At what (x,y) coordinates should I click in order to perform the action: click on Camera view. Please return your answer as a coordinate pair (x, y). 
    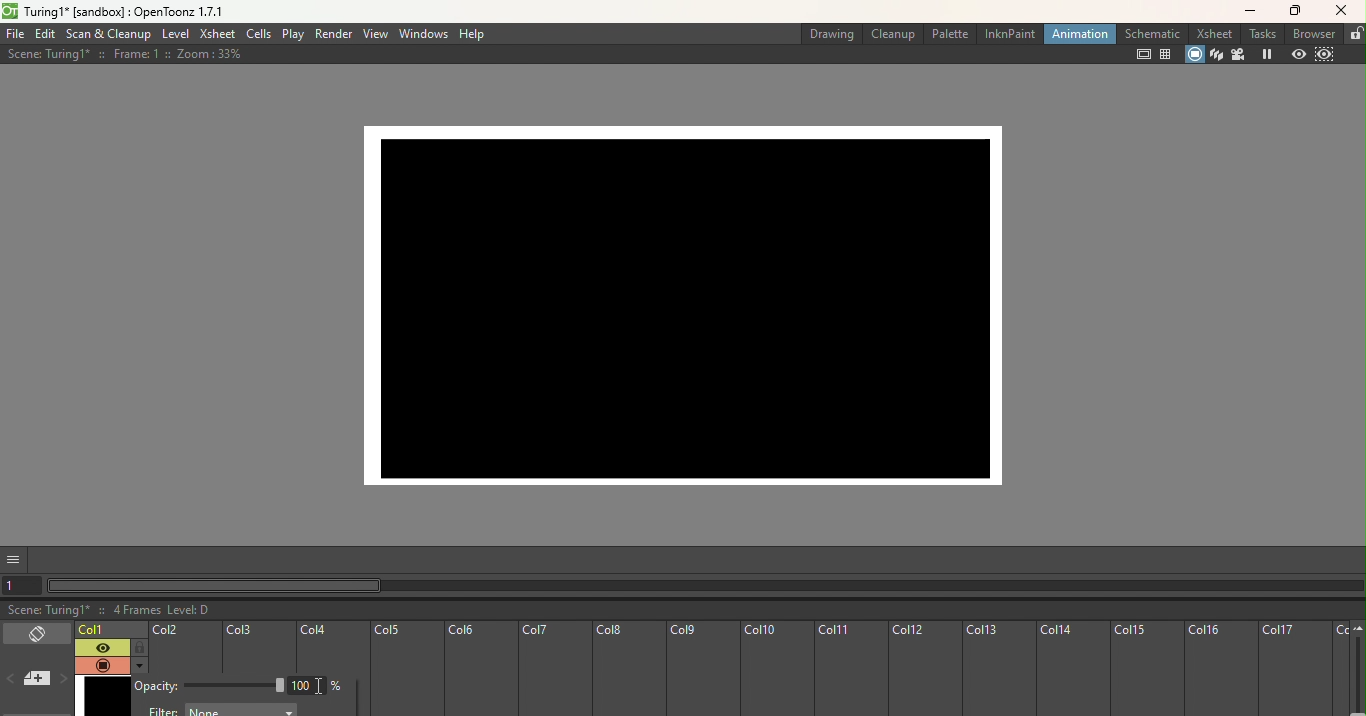
    Looking at the image, I should click on (1237, 55).